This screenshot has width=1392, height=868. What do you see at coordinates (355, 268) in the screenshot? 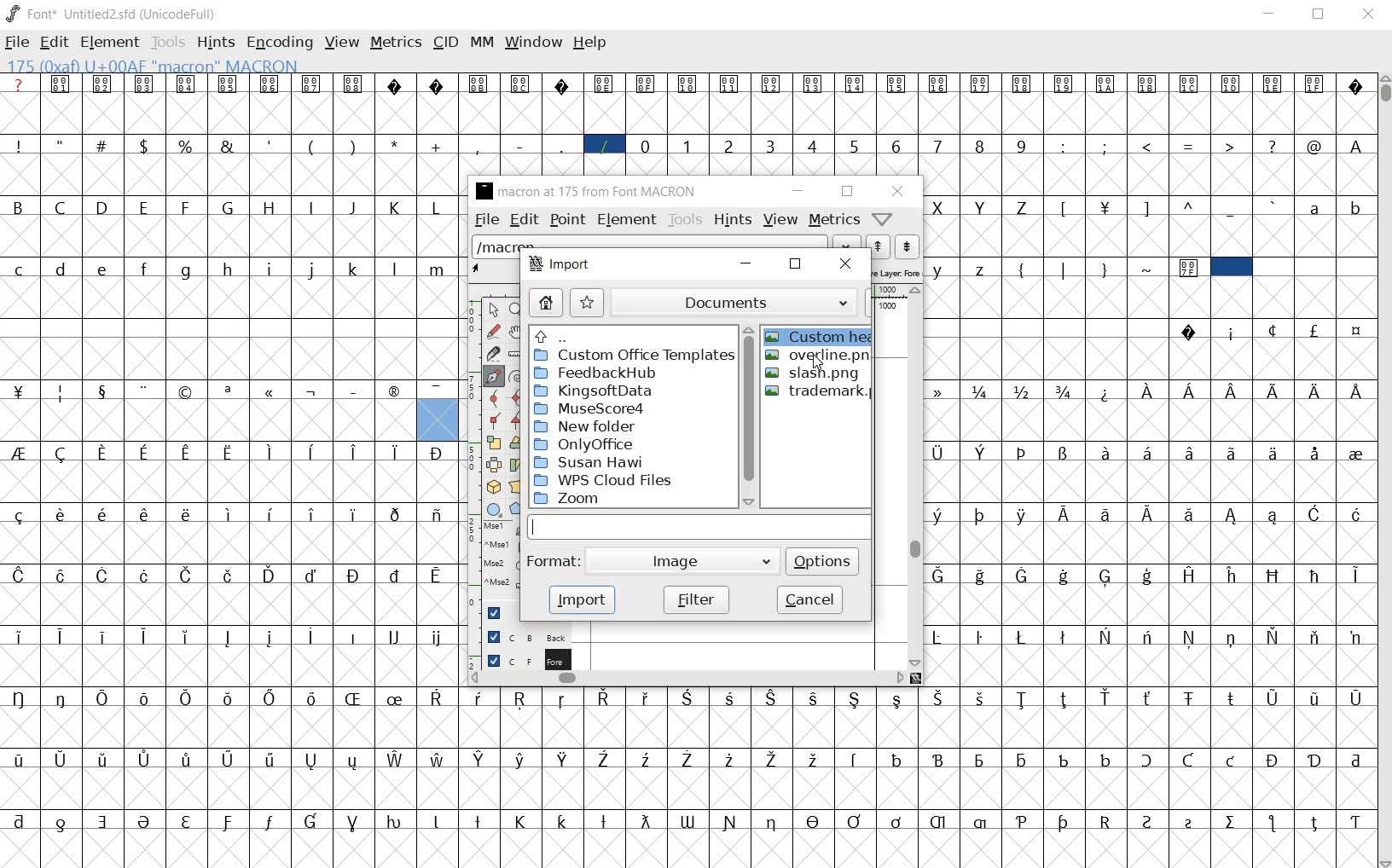
I see `k` at bounding box center [355, 268].